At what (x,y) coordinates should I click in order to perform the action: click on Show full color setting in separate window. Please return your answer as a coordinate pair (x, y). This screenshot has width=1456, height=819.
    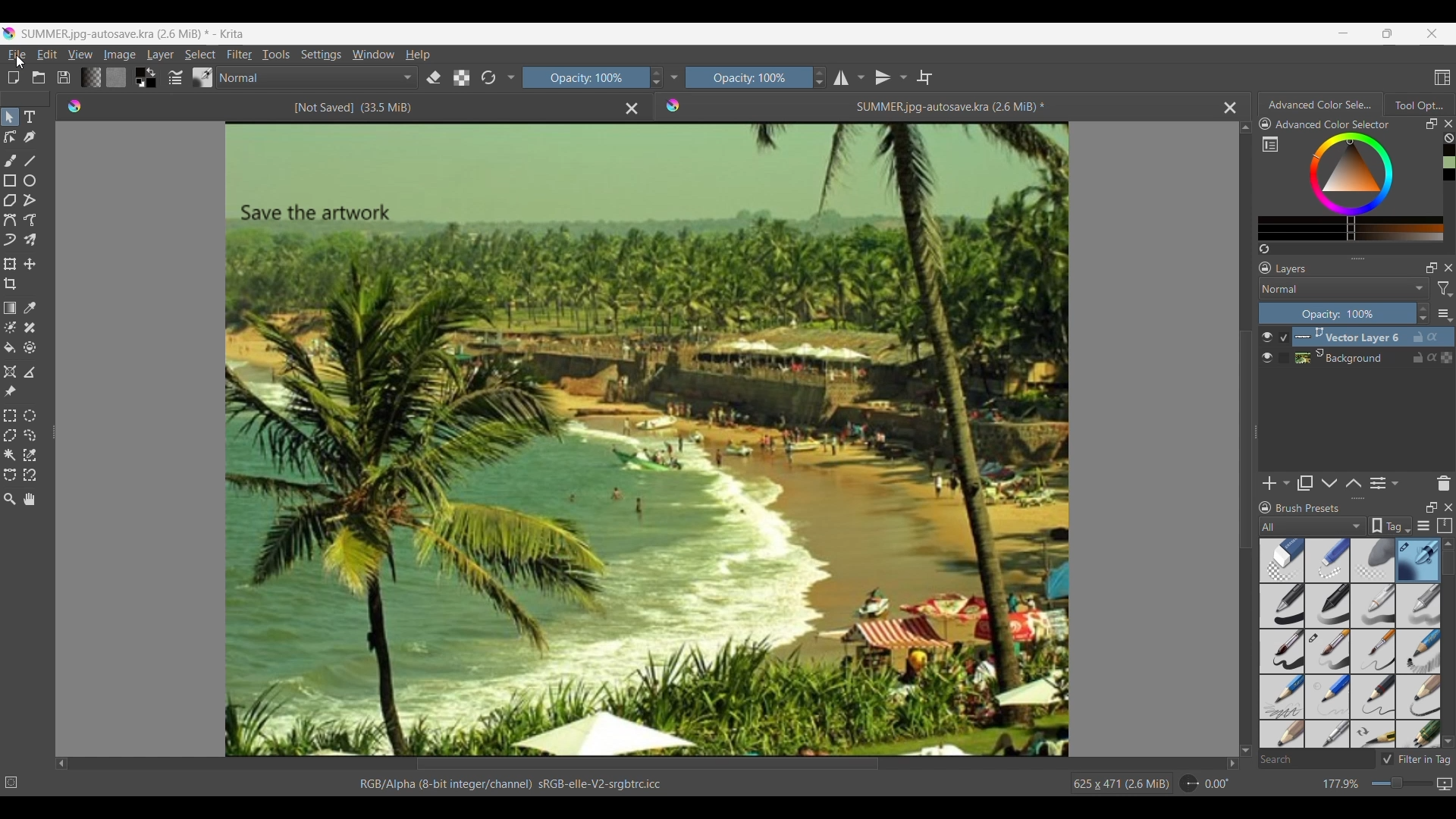
    Looking at the image, I should click on (1270, 144).